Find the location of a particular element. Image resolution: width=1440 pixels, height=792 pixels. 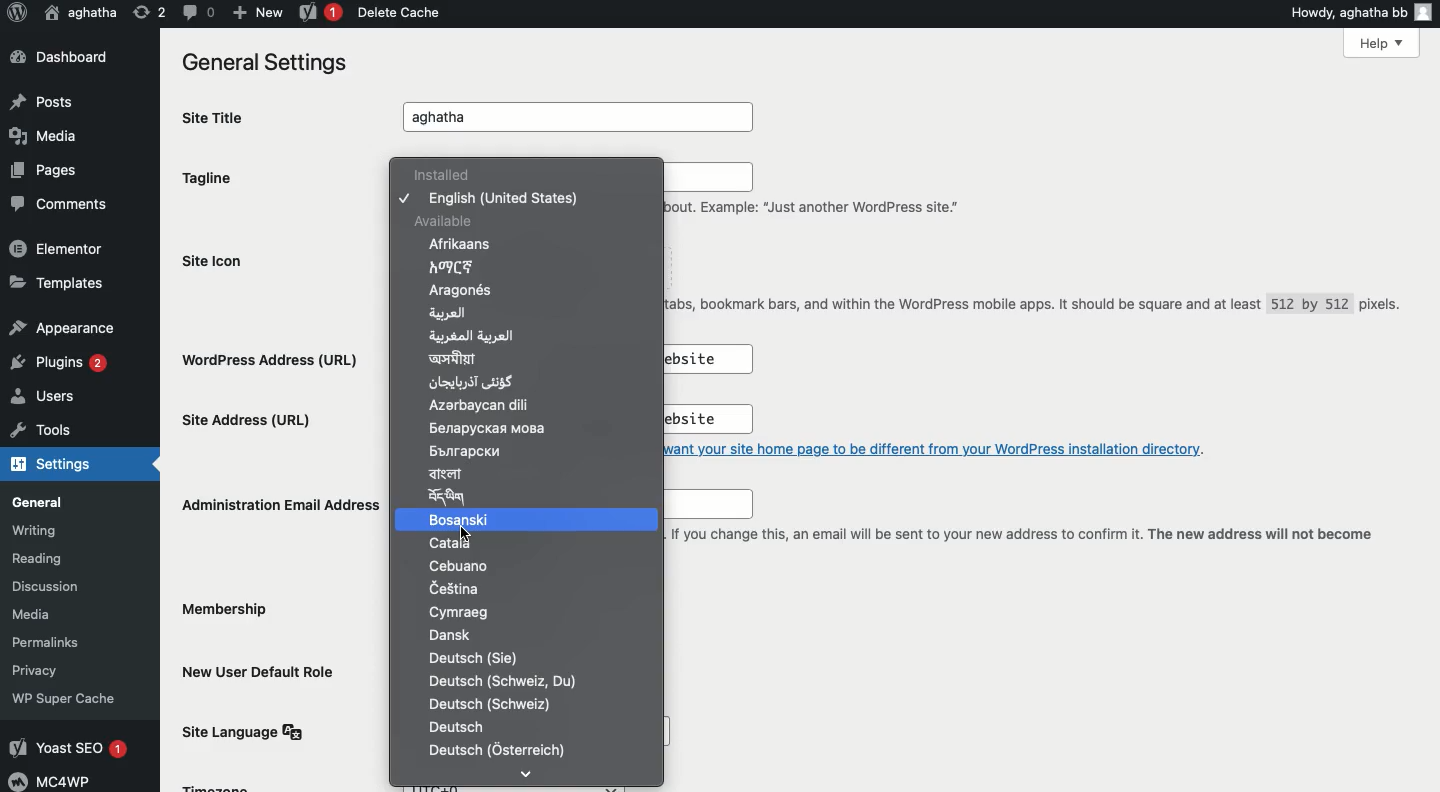

UTC + 0 is located at coordinates (522, 786).